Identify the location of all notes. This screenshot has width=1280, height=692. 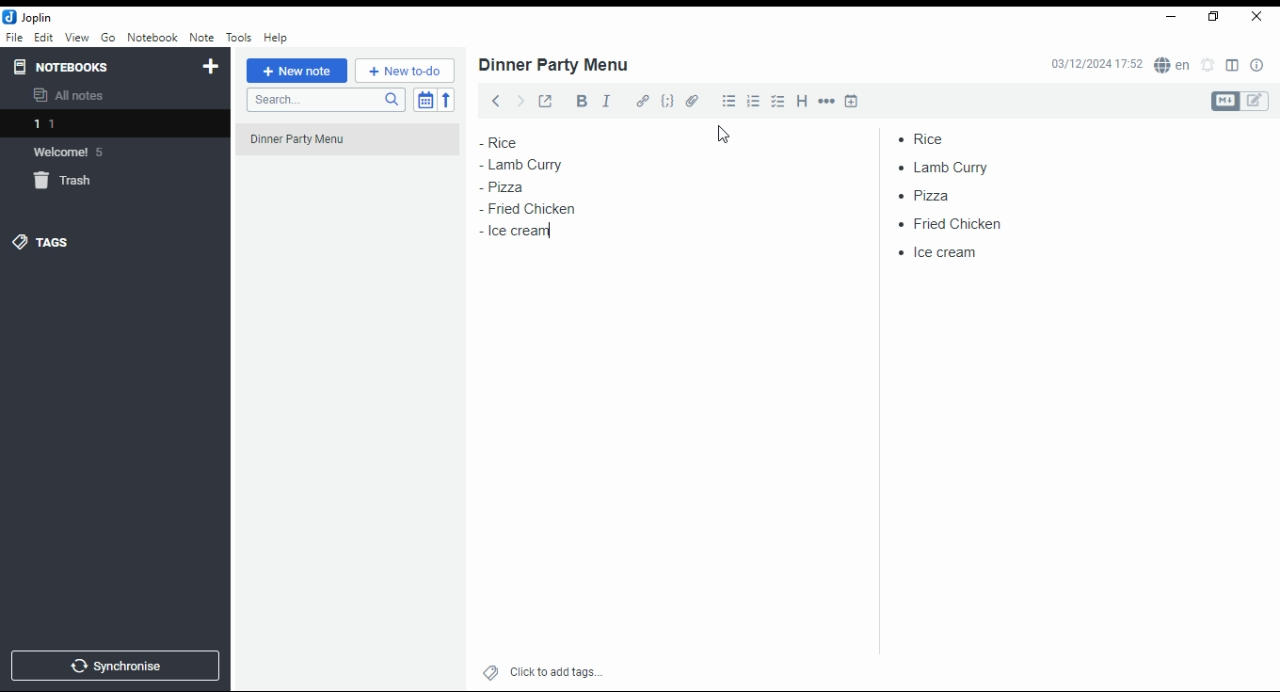
(74, 96).